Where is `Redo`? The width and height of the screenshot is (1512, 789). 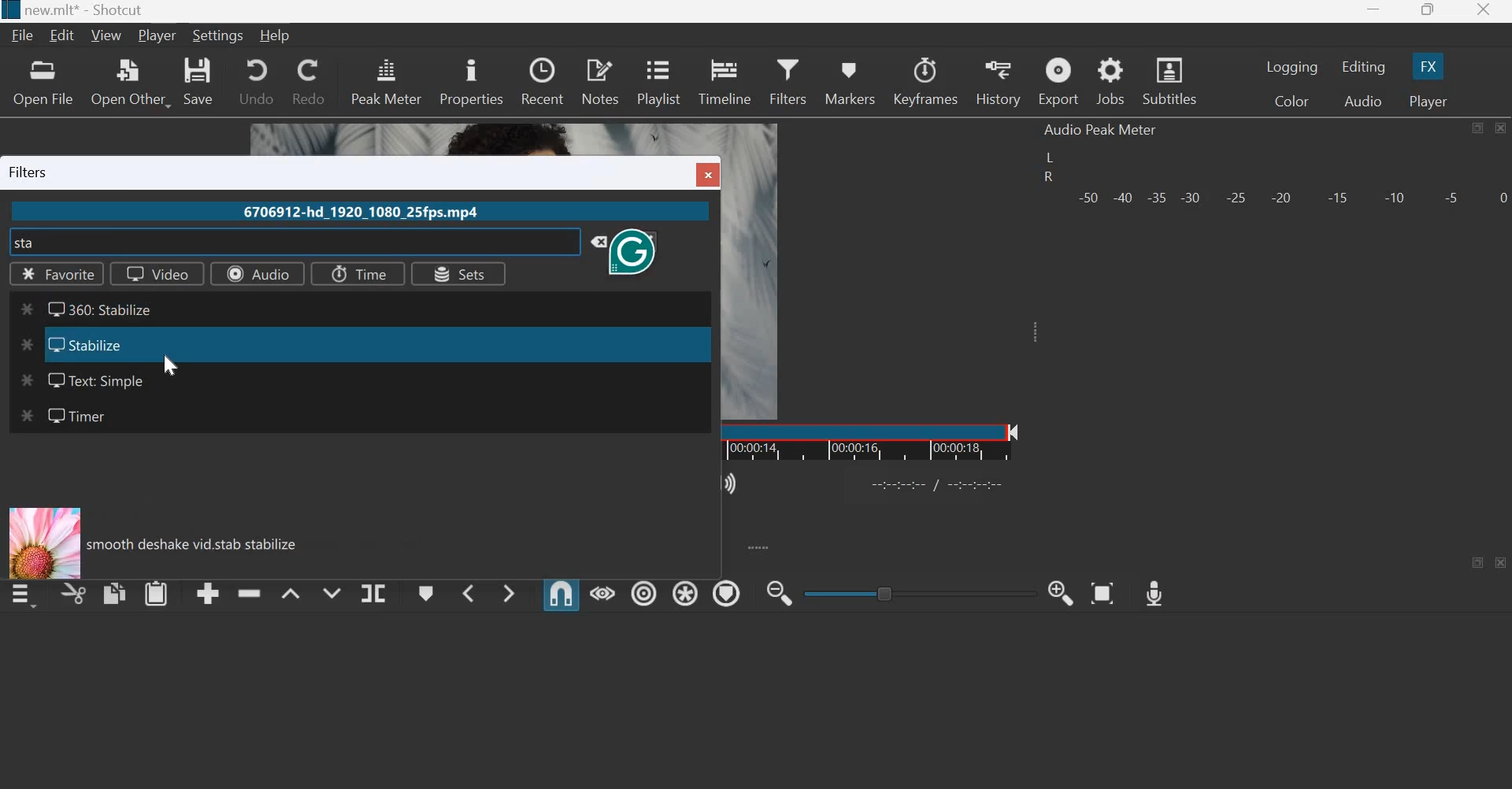
Redo is located at coordinates (310, 82).